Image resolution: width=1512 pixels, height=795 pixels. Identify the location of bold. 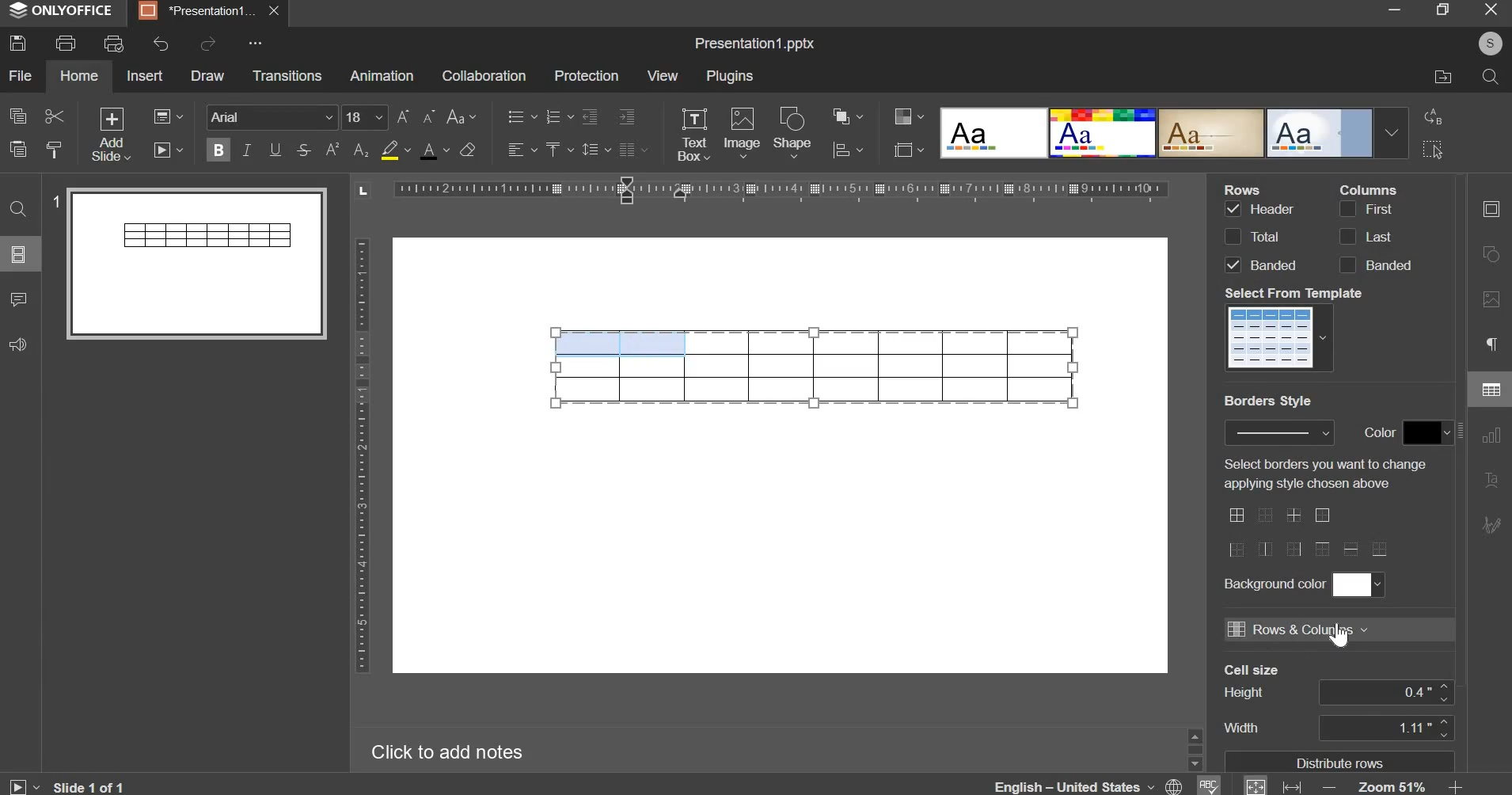
(218, 147).